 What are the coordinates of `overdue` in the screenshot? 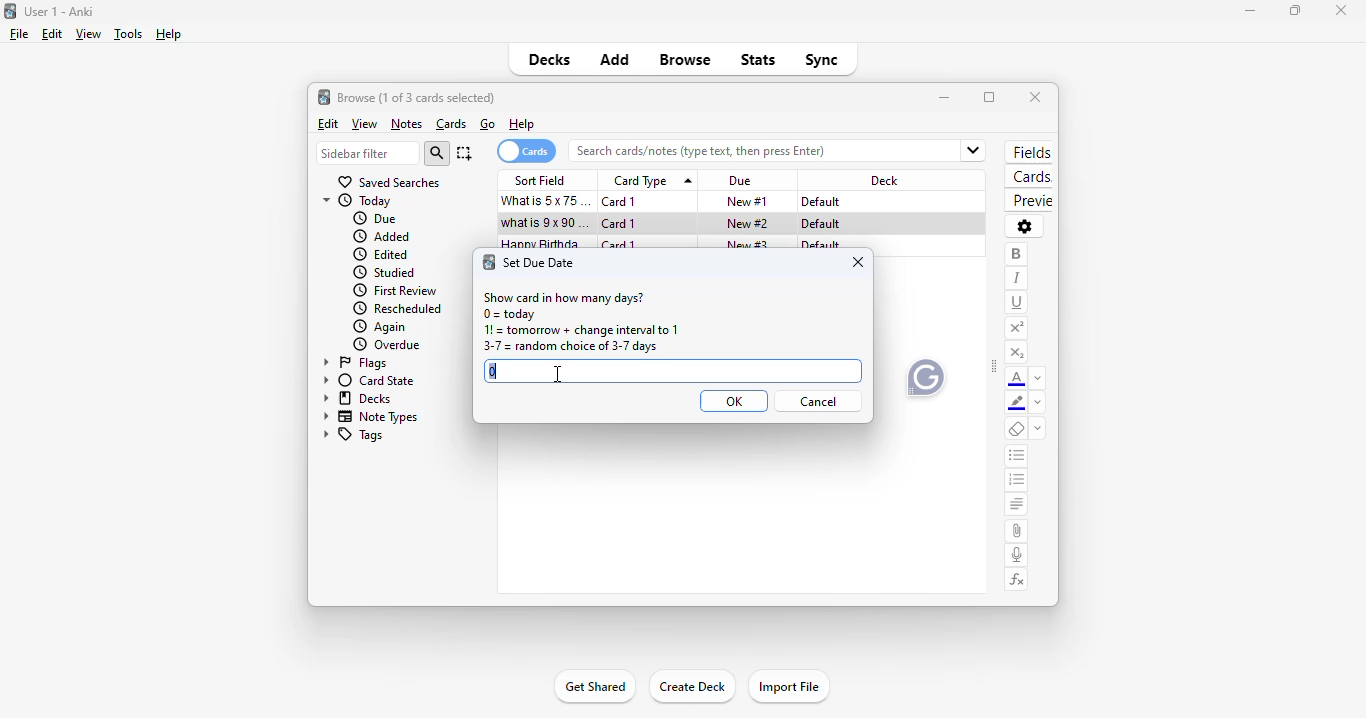 It's located at (388, 345).